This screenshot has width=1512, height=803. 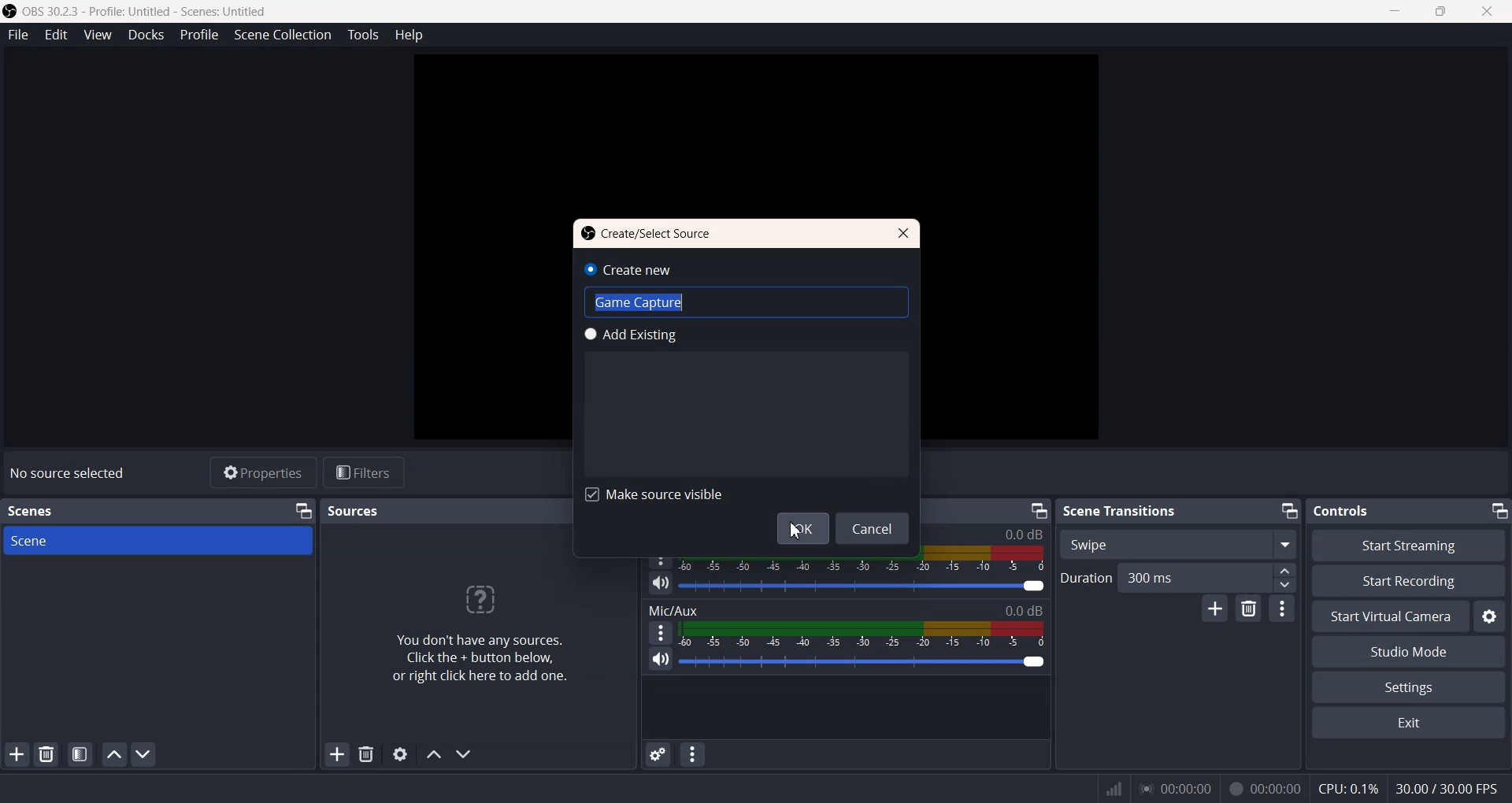 What do you see at coordinates (401, 754) in the screenshot?
I see `Open Sources Properties` at bounding box center [401, 754].